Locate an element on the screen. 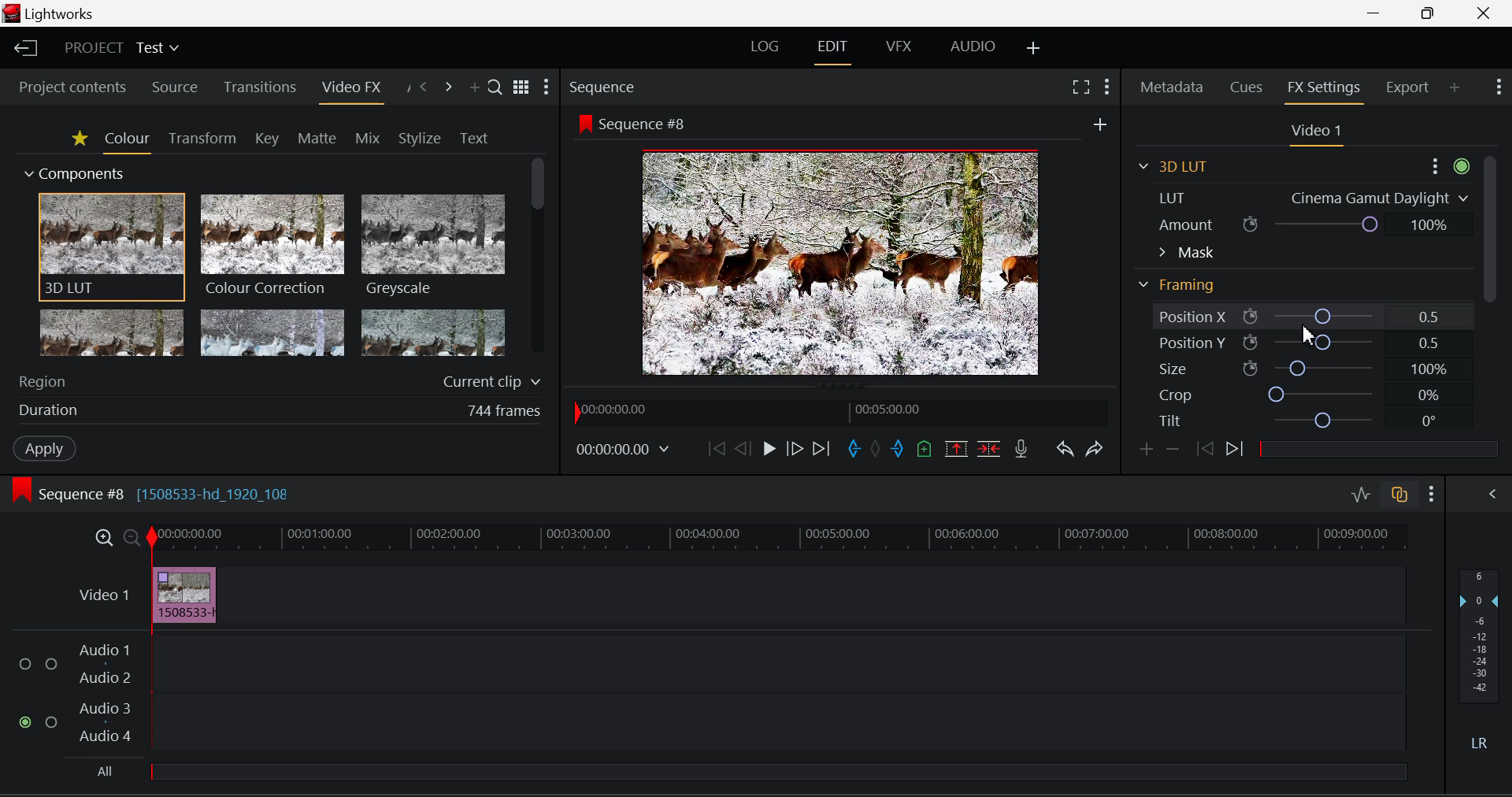  Add Panel is located at coordinates (474, 85).